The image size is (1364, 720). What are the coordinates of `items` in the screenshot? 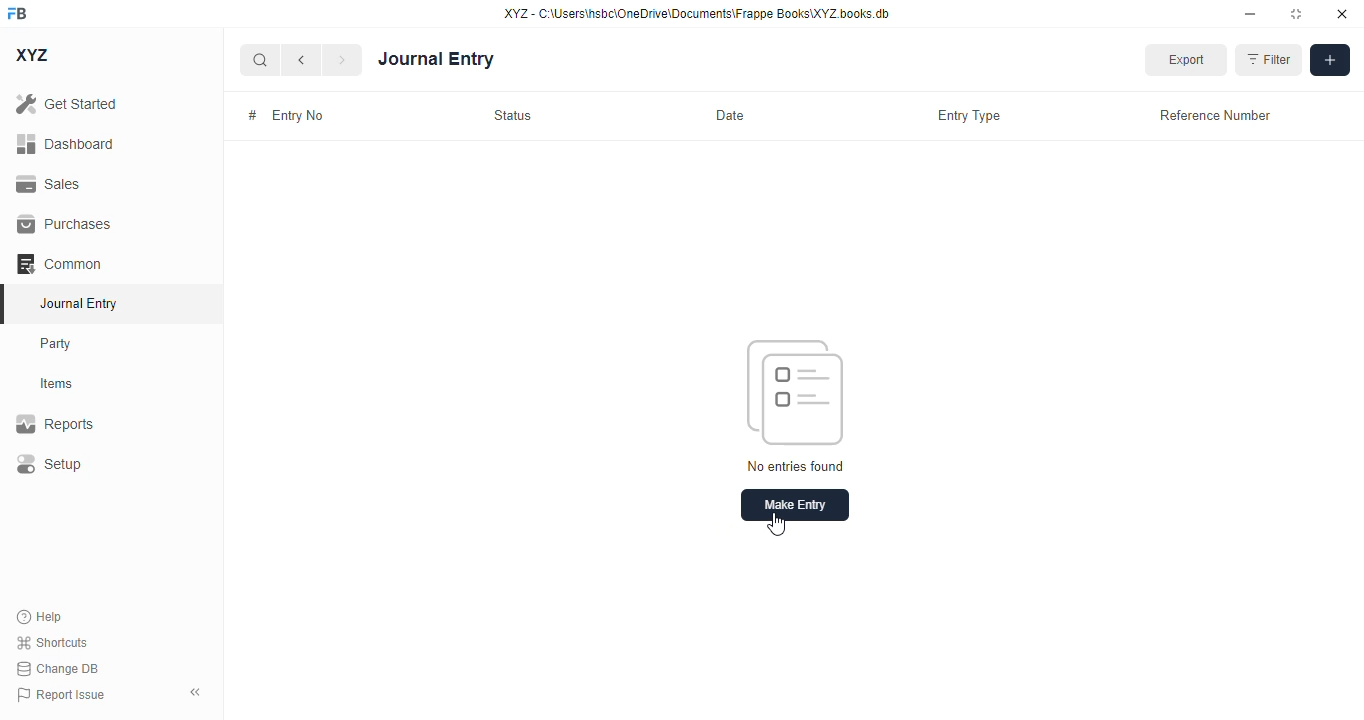 It's located at (57, 384).